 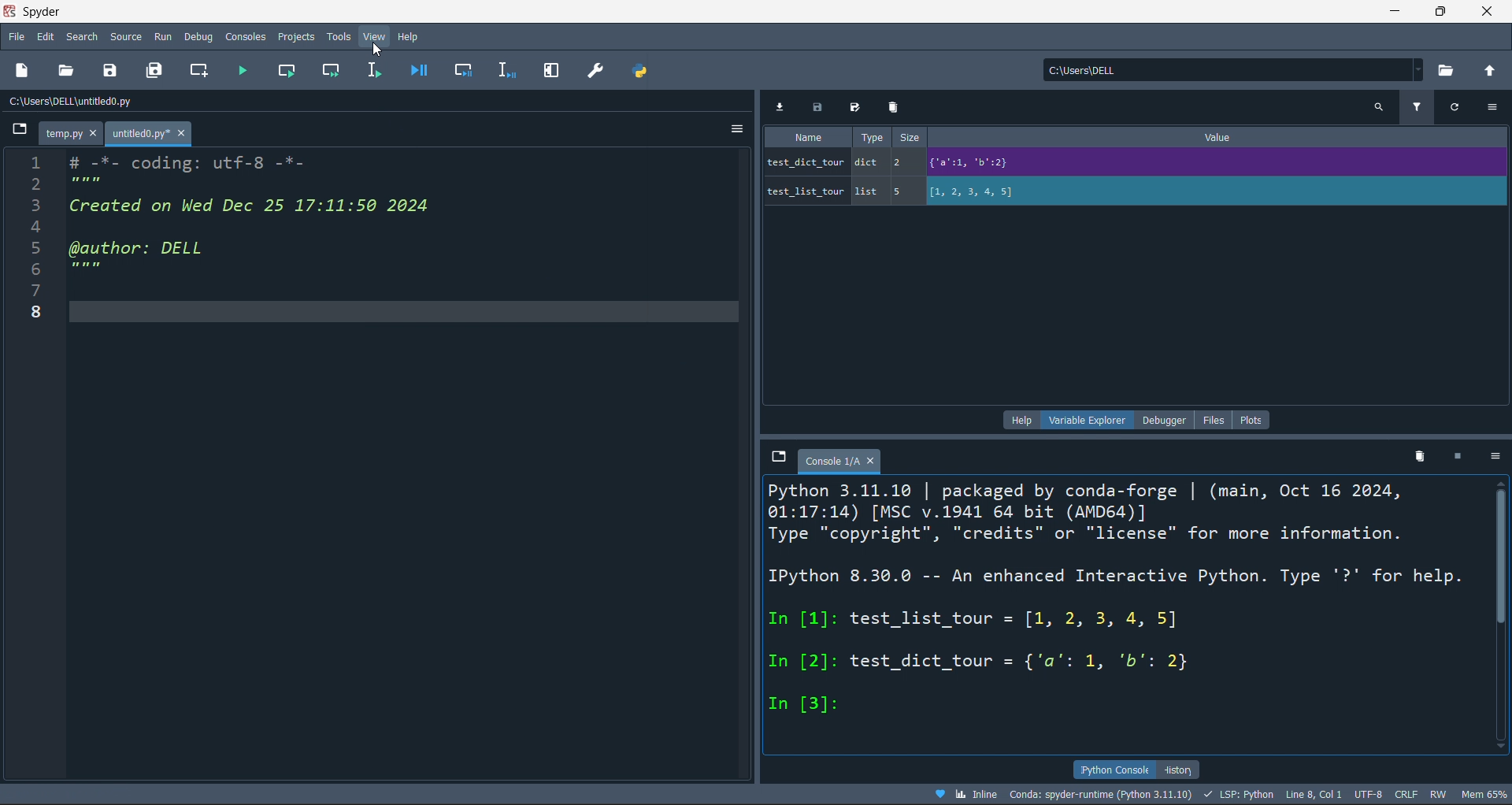 What do you see at coordinates (1417, 108) in the screenshot?
I see `filter` at bounding box center [1417, 108].